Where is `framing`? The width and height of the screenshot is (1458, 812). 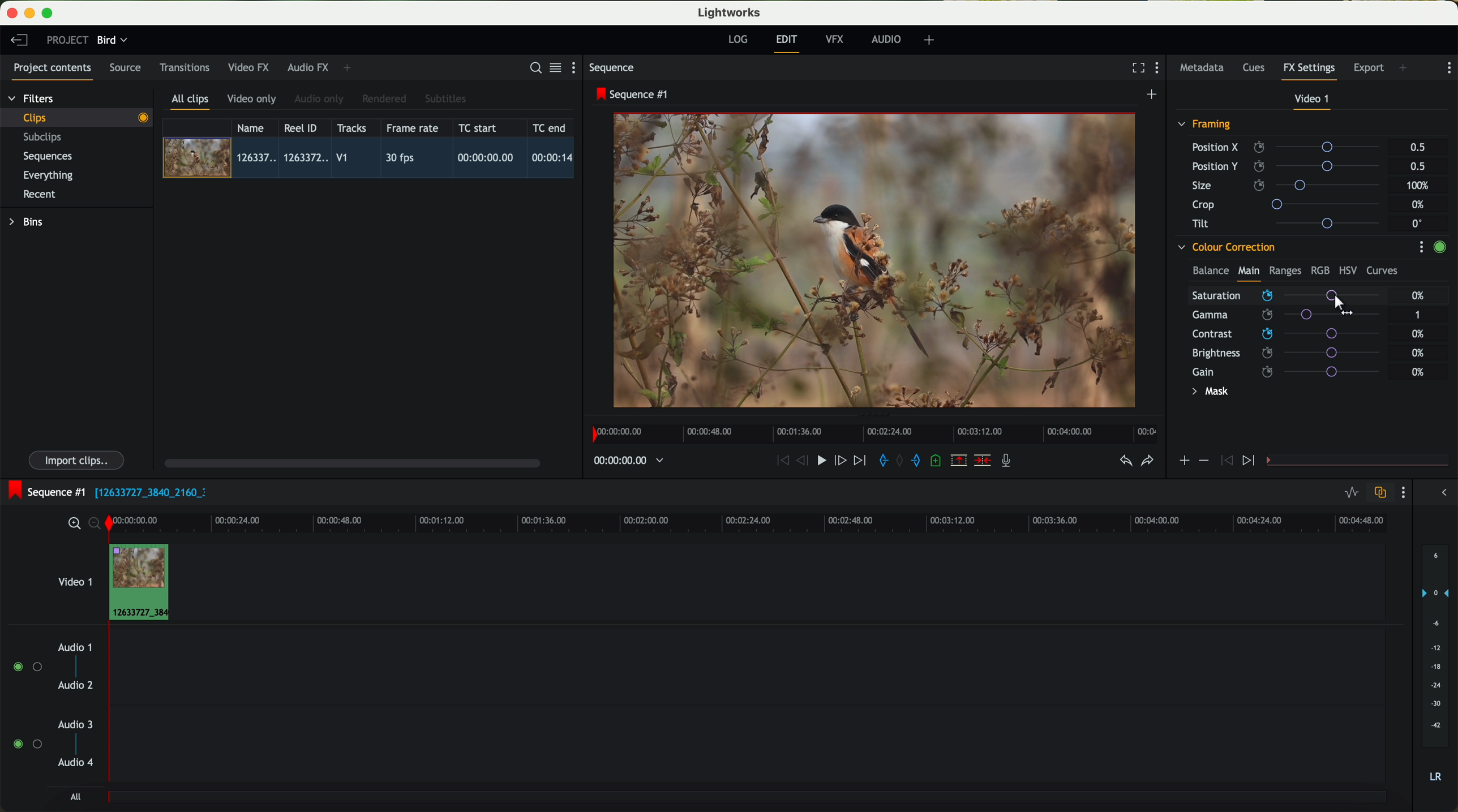
framing is located at coordinates (1205, 126).